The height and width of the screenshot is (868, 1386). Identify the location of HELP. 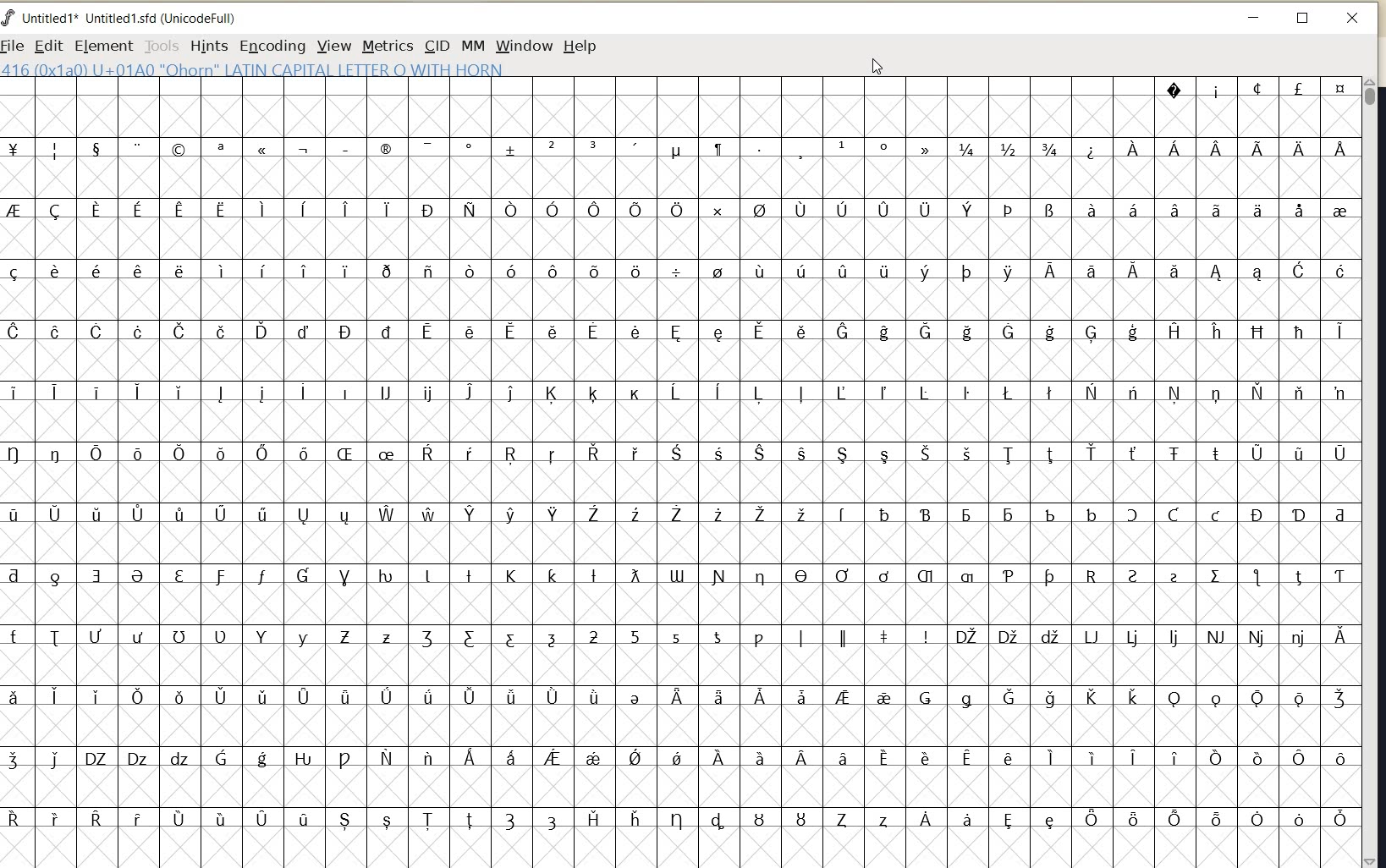
(580, 47).